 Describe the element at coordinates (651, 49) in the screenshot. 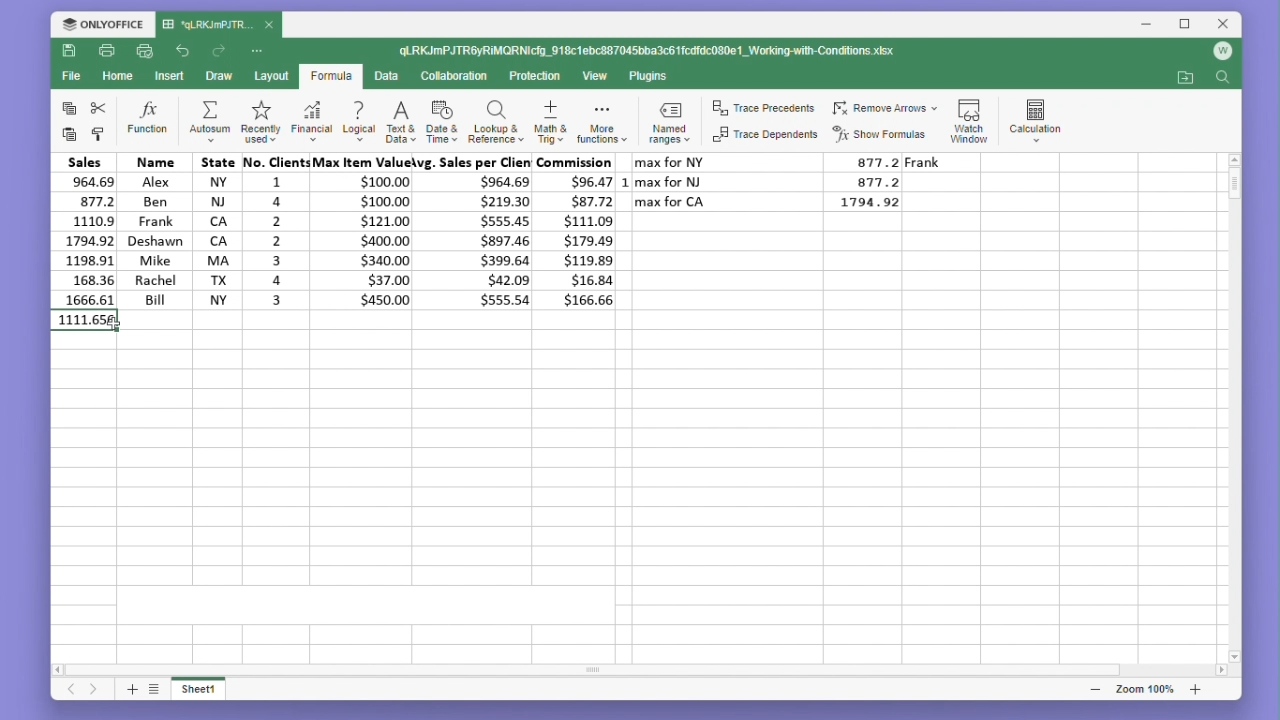

I see `qLRKJmPJTR6yRIMQRNIcfg_918c1ebc887045bba3c61fcdfdc080c1_Working-with-Conditions.xlsx` at that location.